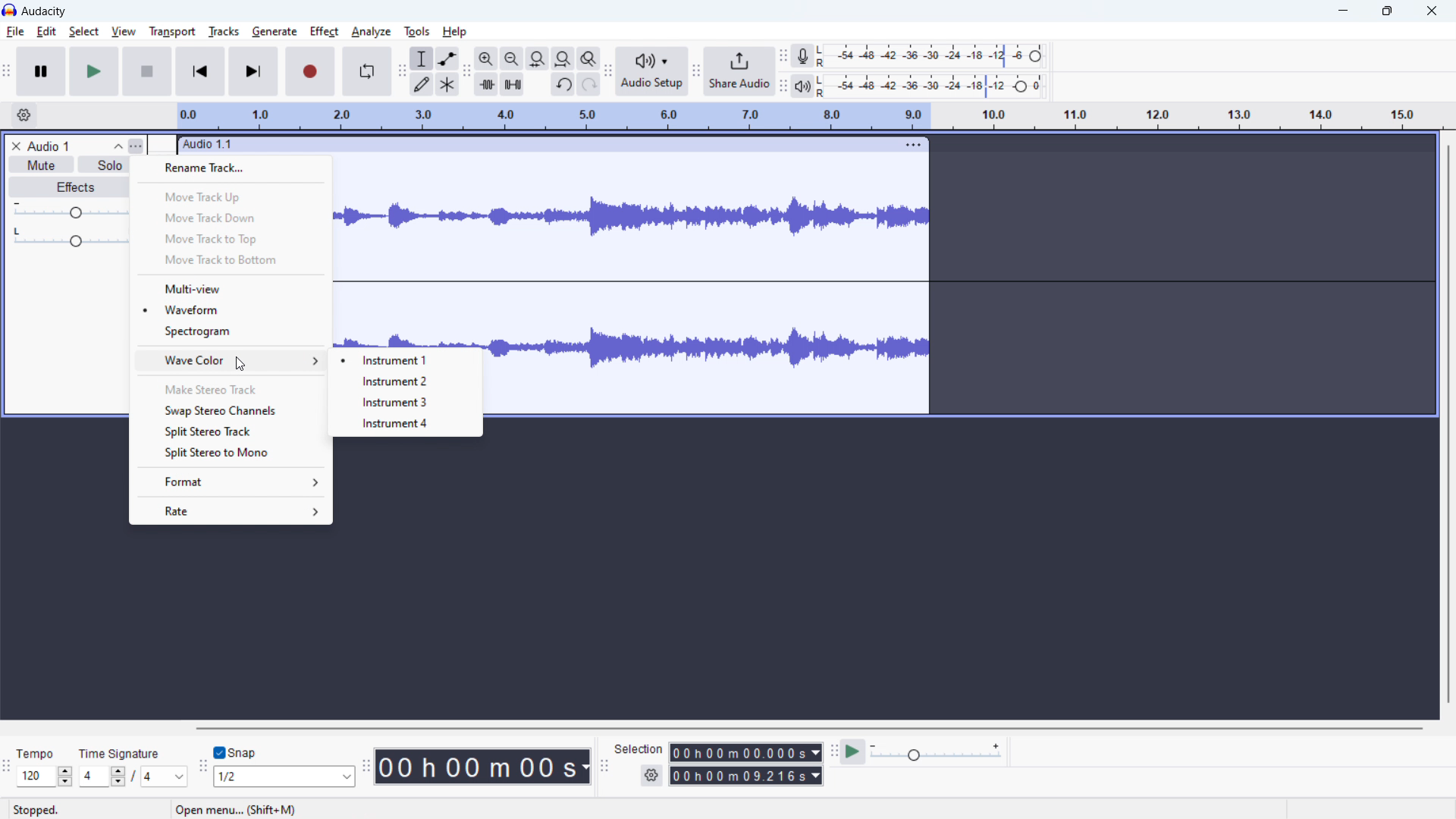  I want to click on recording meter toolbar, so click(783, 55).